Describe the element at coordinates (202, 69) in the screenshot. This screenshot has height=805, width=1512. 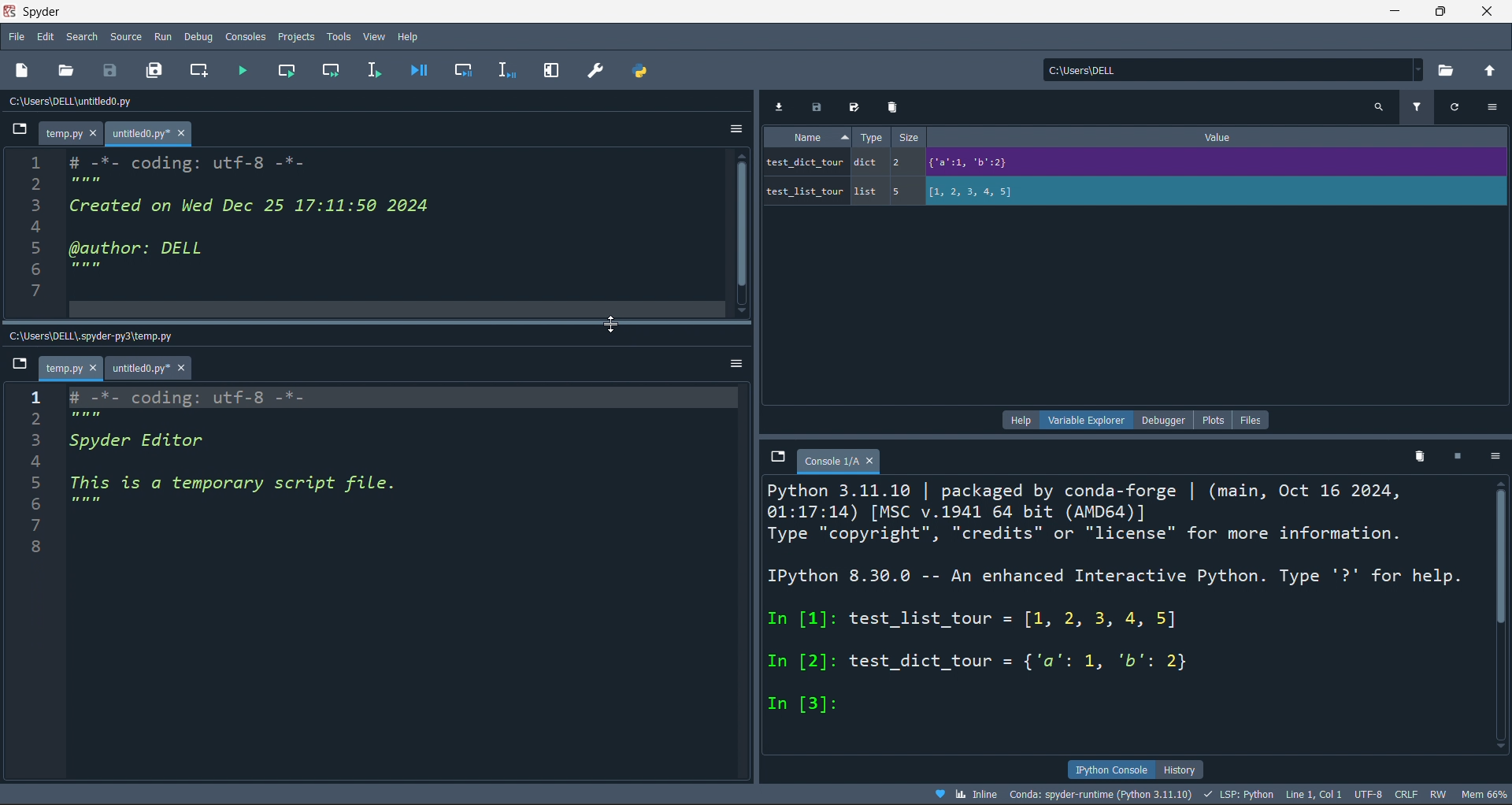
I see `create new cell` at that location.